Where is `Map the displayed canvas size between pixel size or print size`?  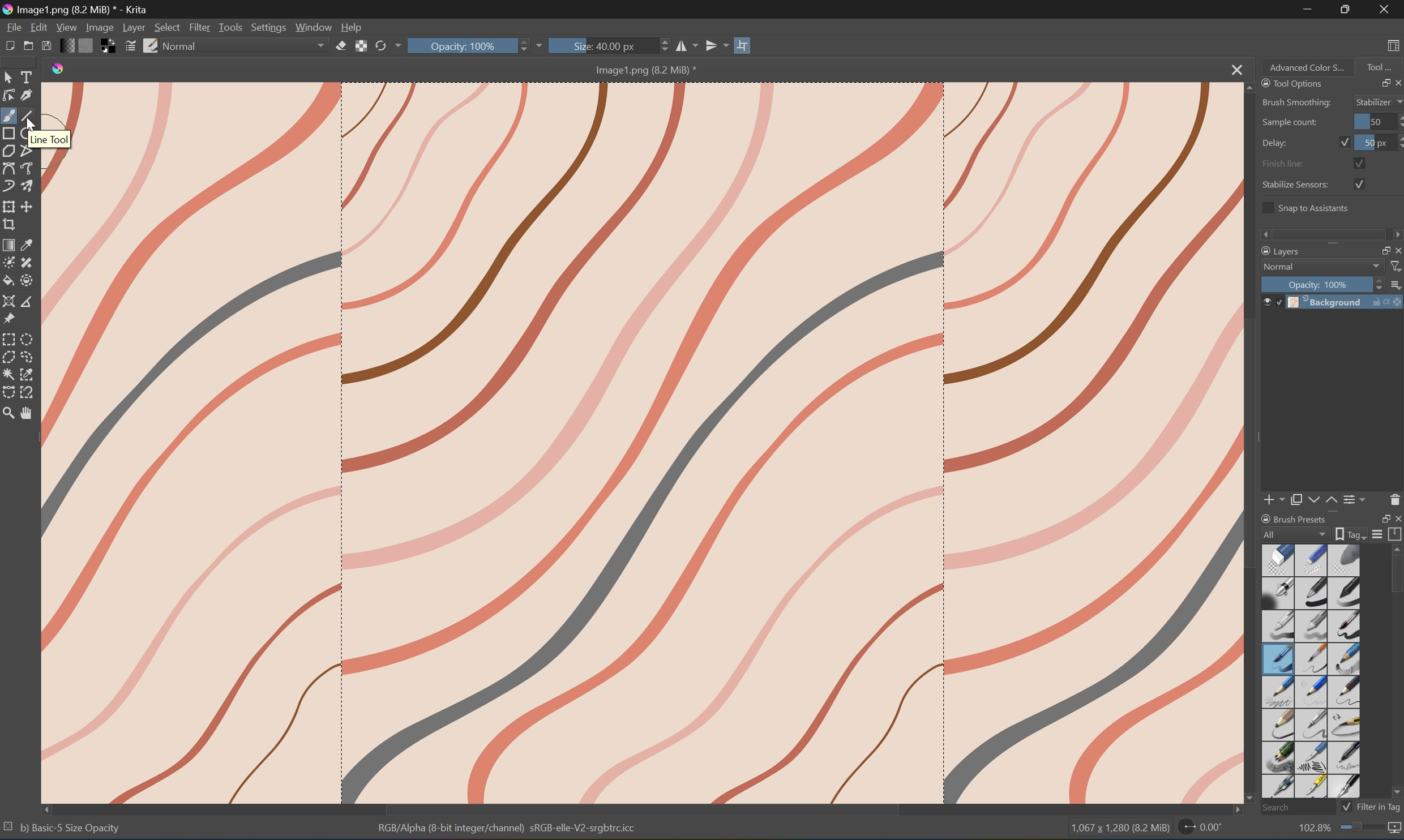 Map the displayed canvas size between pixel size or print size is located at coordinates (1396, 829).